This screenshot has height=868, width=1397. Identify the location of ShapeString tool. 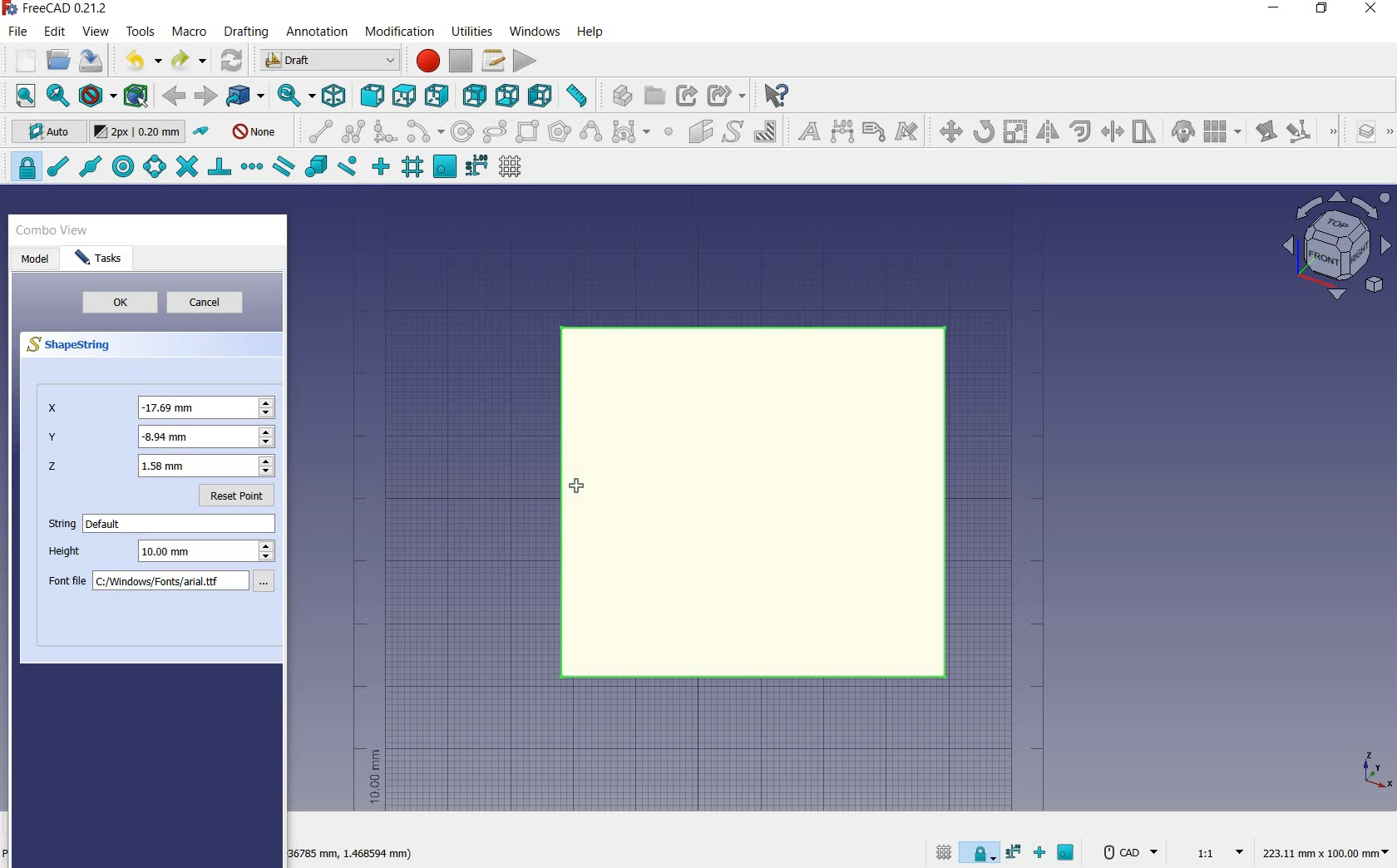
(580, 489).